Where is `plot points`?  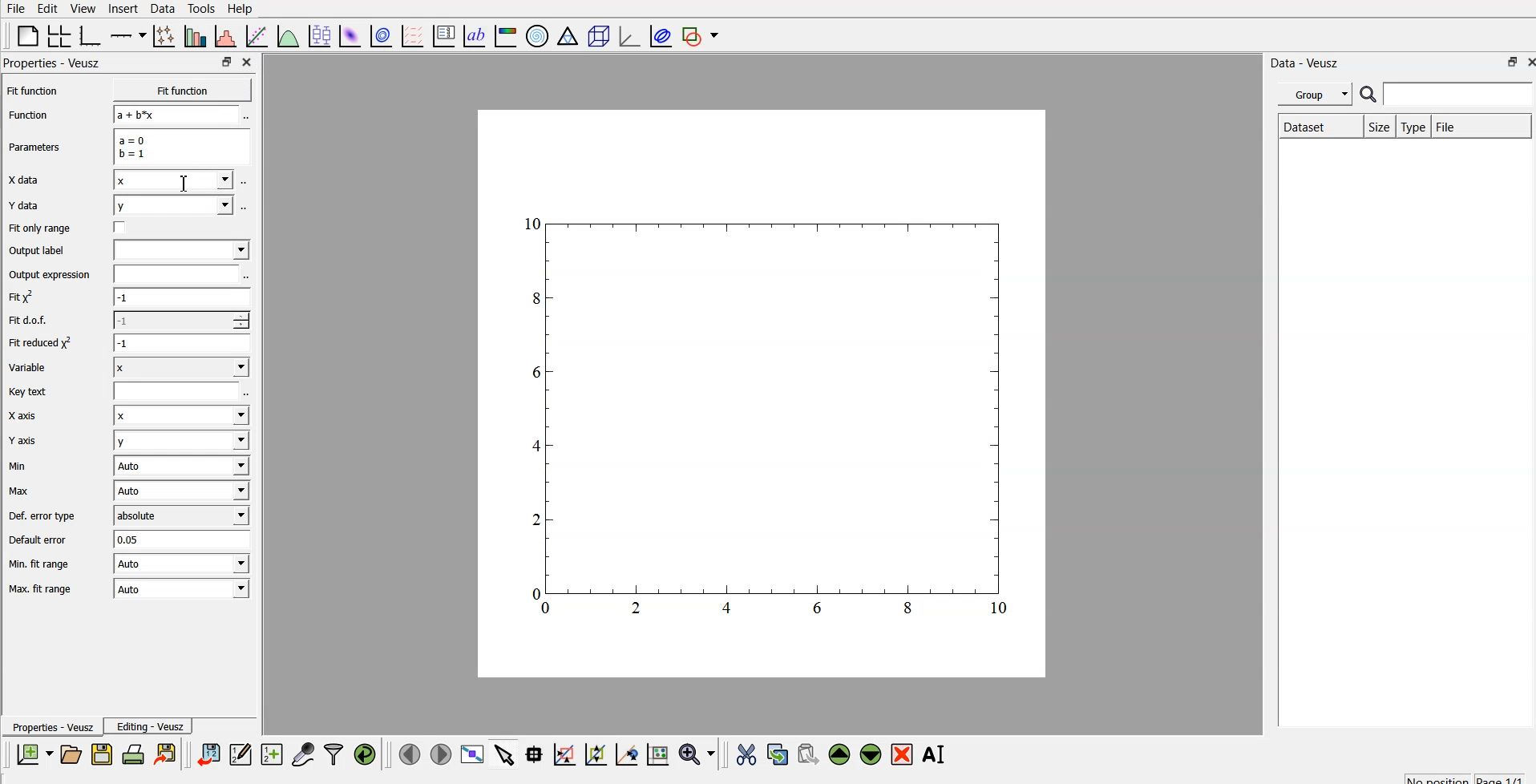 plot points is located at coordinates (164, 36).